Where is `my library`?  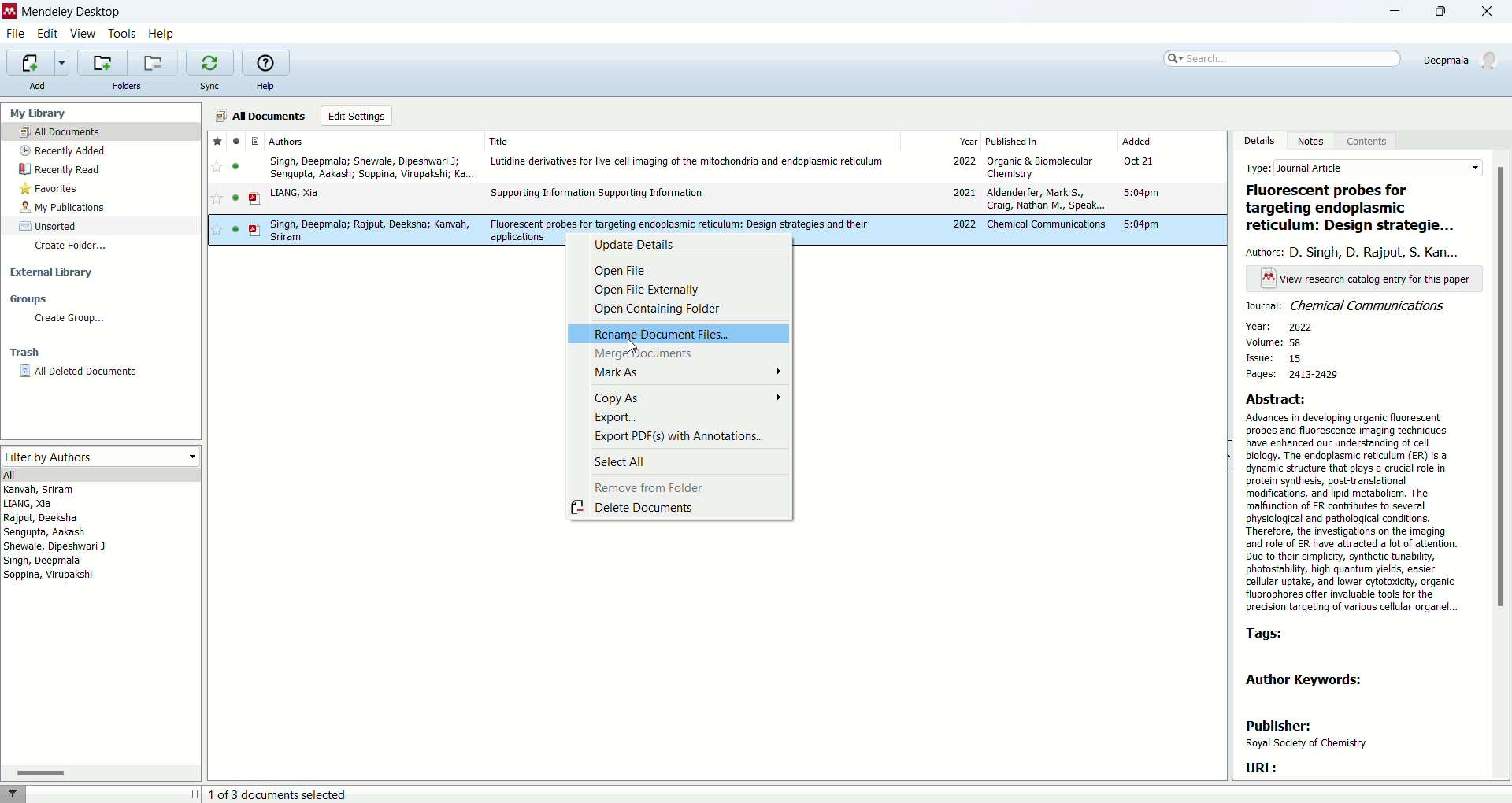
my library is located at coordinates (40, 113).